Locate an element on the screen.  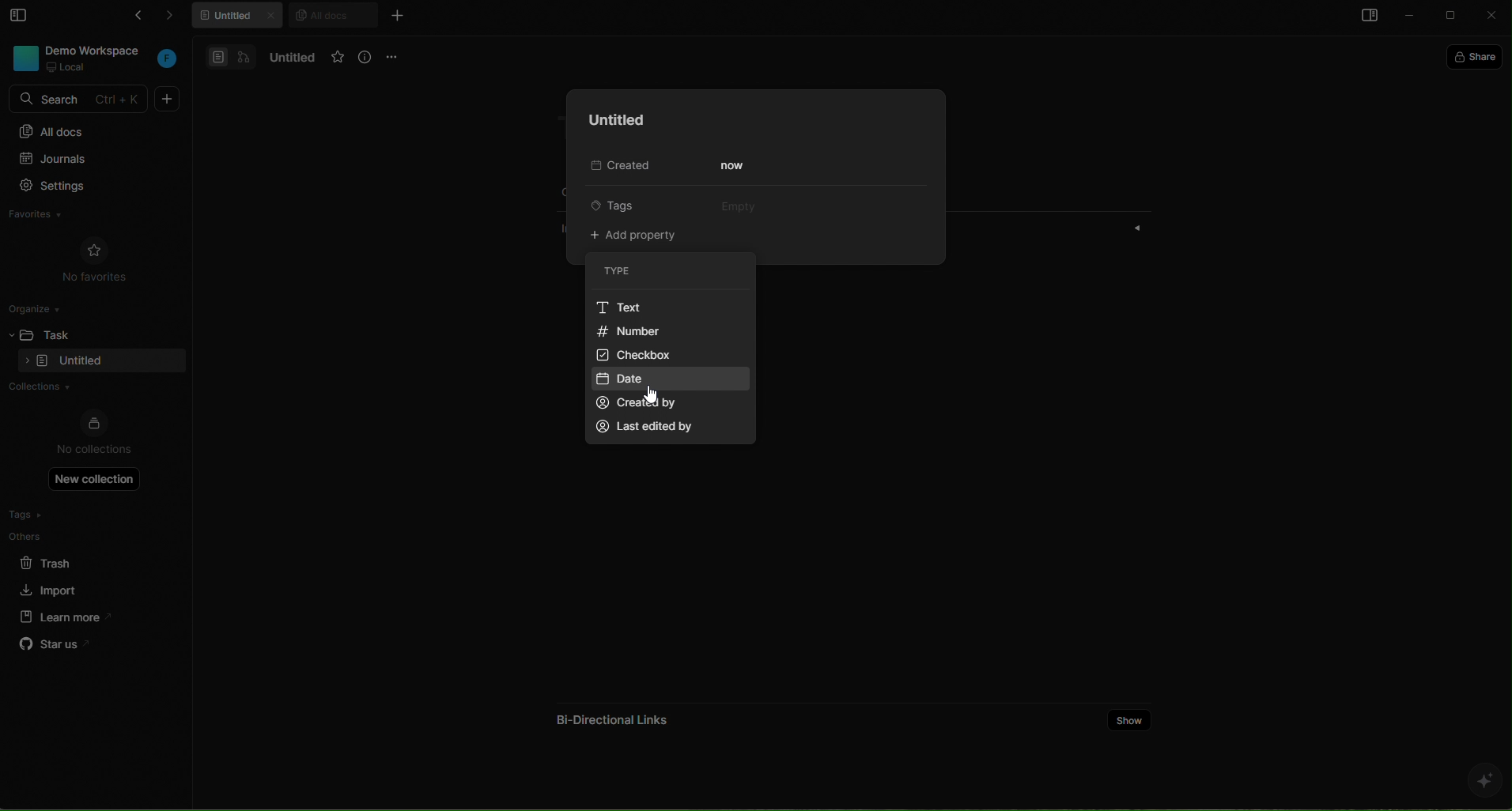
tags is located at coordinates (58, 515).